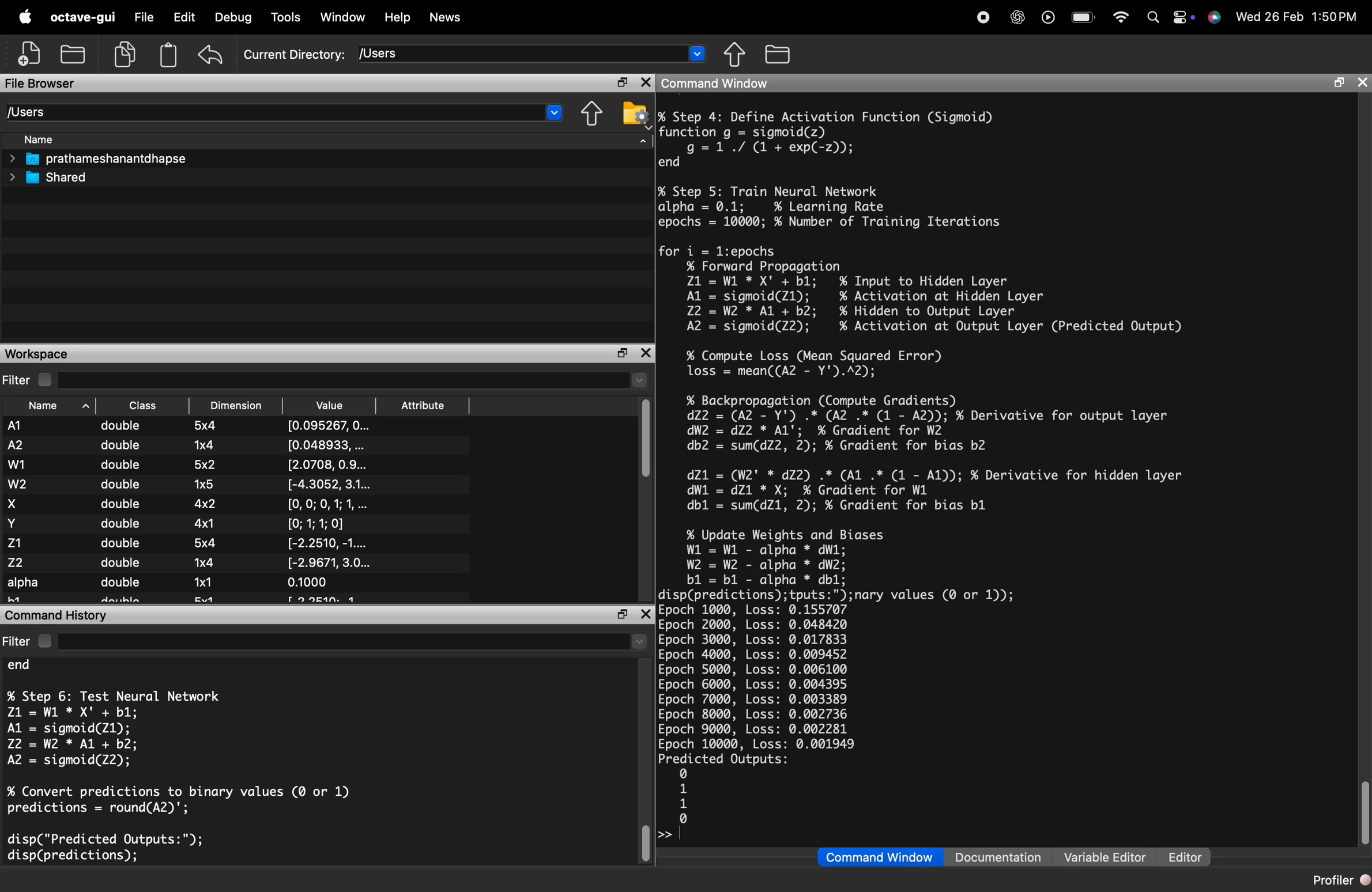  I want to click on double, so click(123, 524).